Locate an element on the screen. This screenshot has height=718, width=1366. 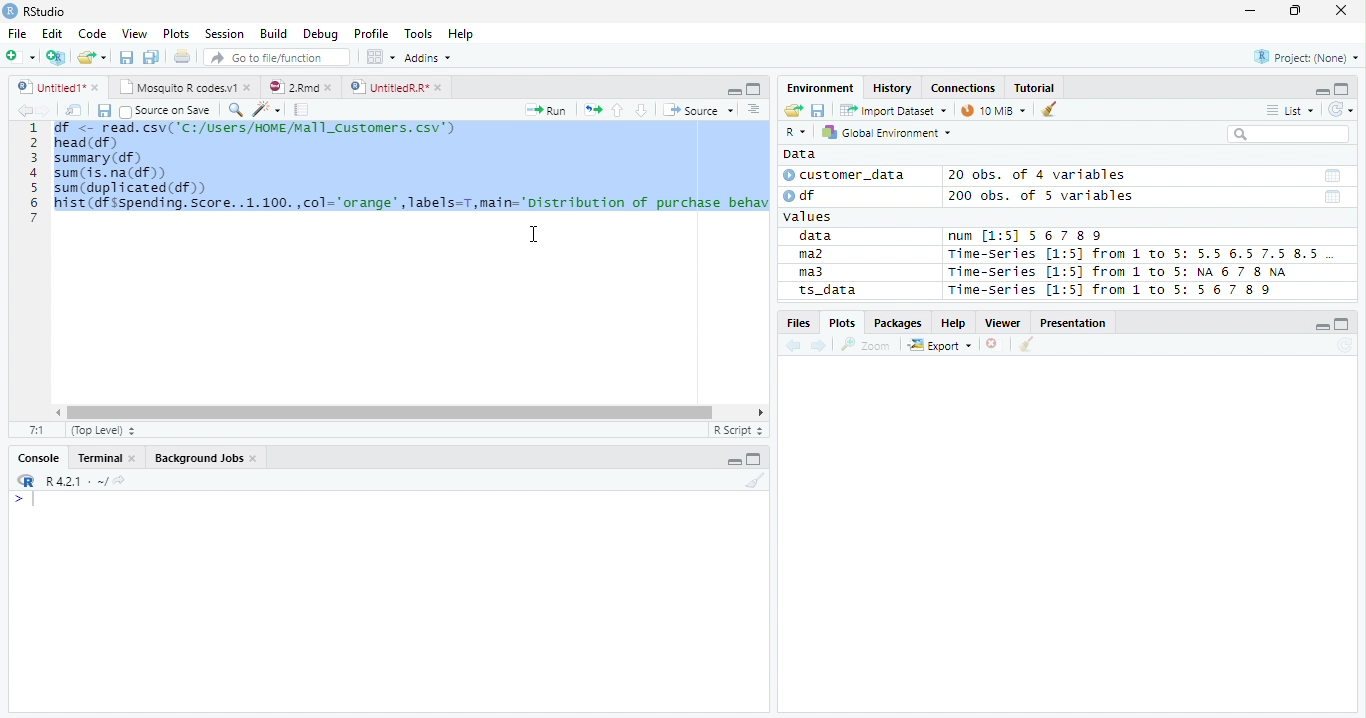
Background jobs is located at coordinates (206, 460).